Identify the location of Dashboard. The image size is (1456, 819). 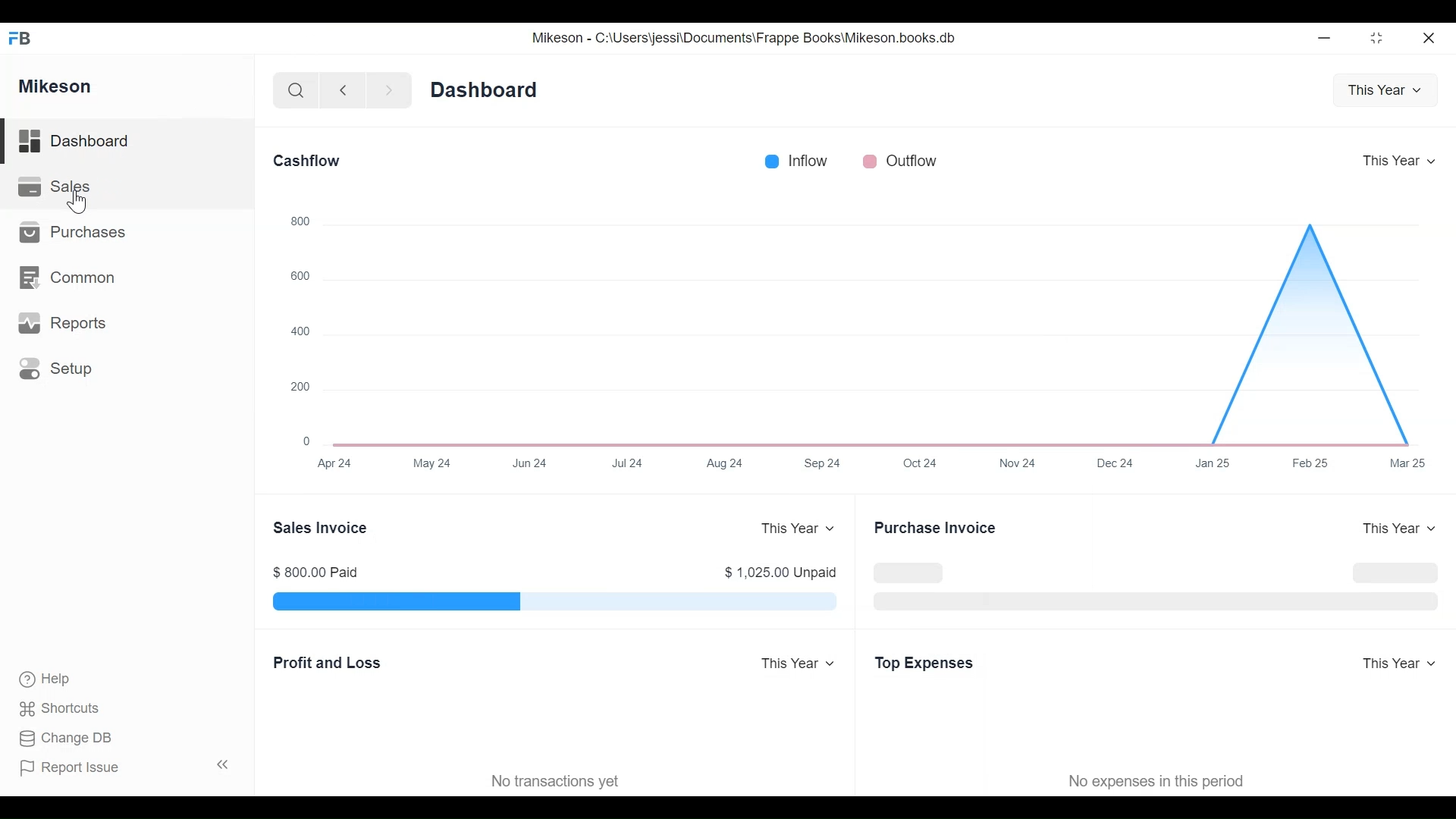
(99, 142).